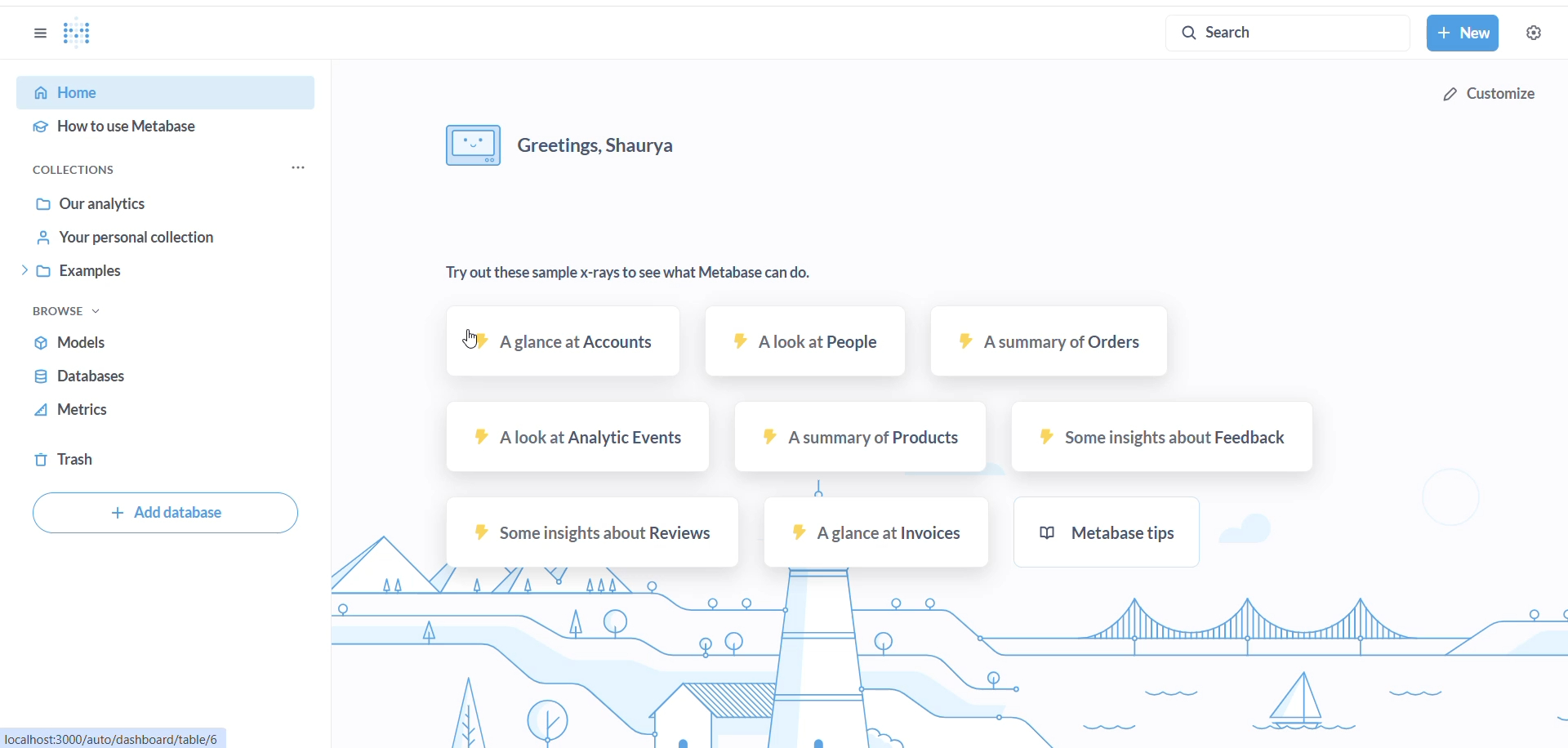 The height and width of the screenshot is (748, 1568). What do you see at coordinates (123, 344) in the screenshot?
I see `models` at bounding box center [123, 344].